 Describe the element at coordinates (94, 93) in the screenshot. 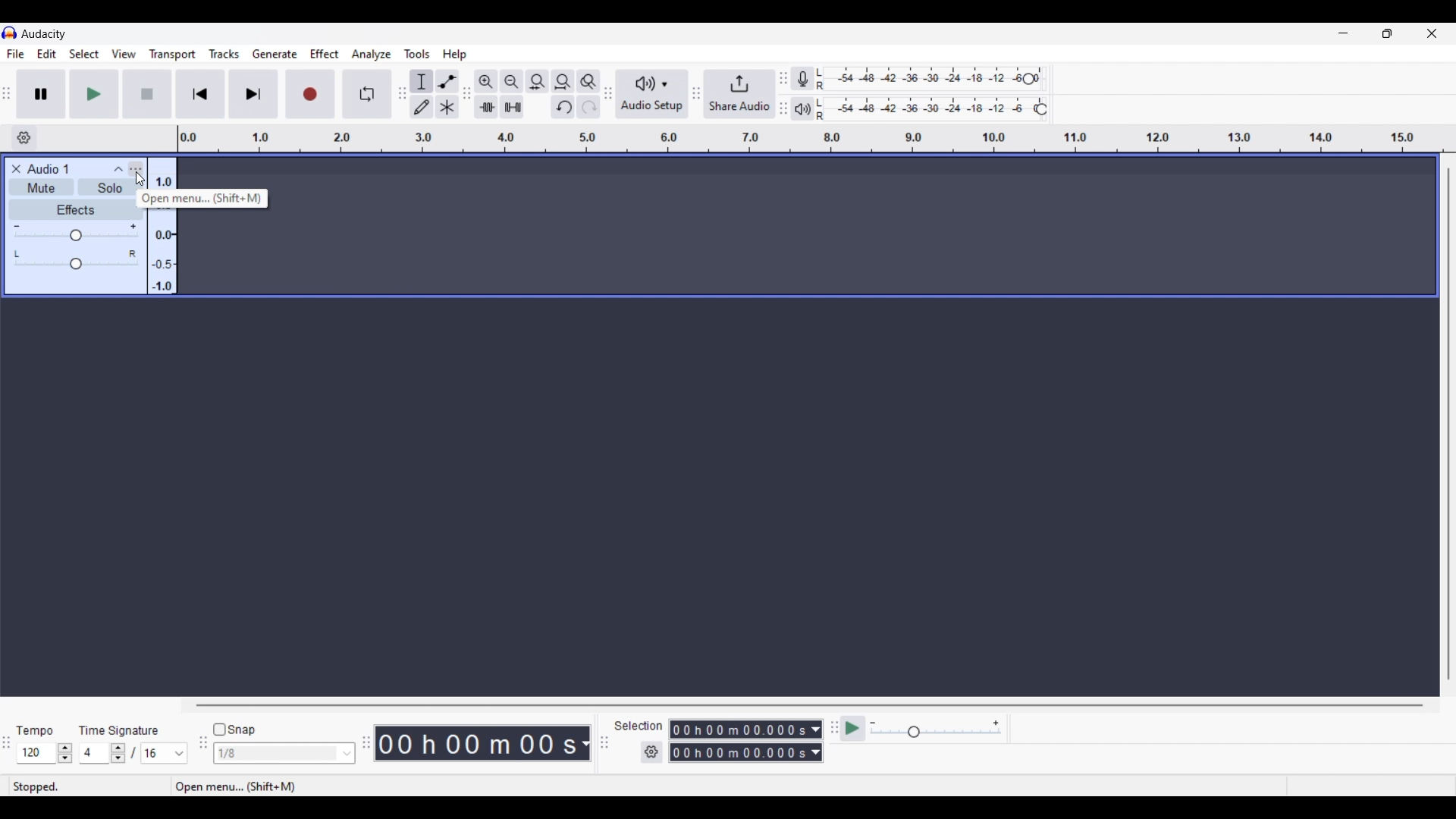

I see `Play/Play once` at that location.